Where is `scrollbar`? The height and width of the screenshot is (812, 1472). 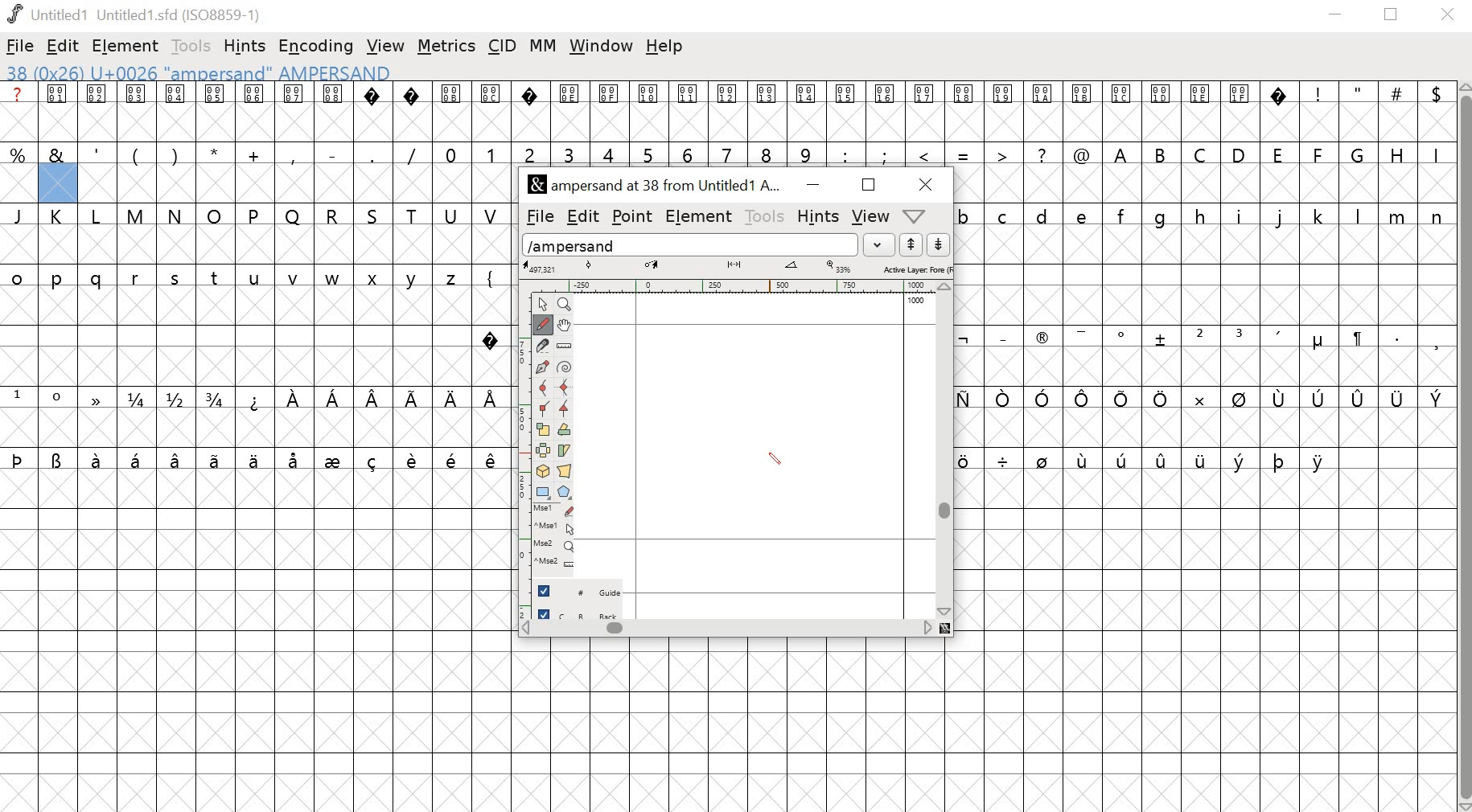
scrollbar is located at coordinates (948, 449).